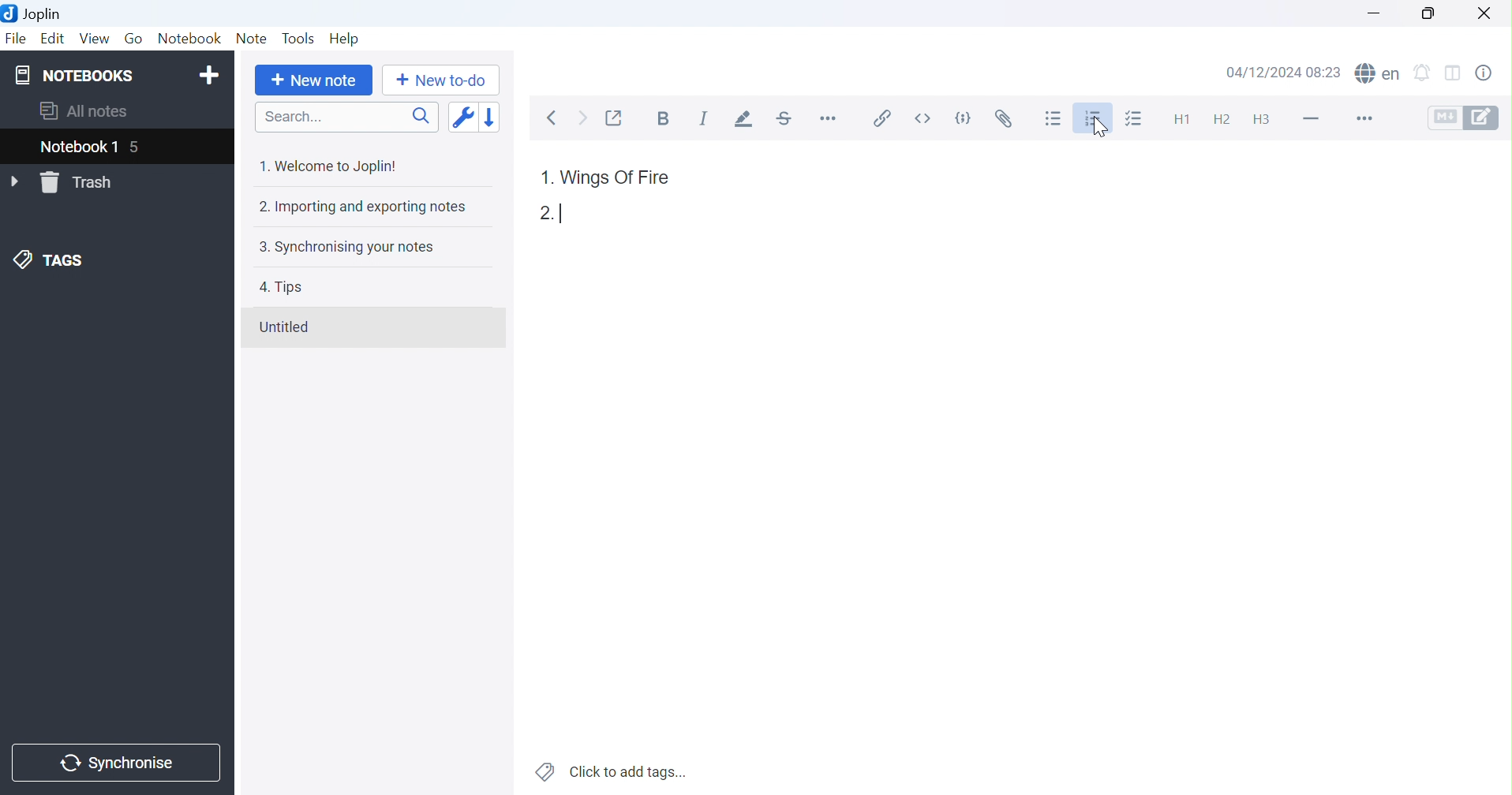 The height and width of the screenshot is (795, 1512). What do you see at coordinates (612, 772) in the screenshot?
I see `Click to add tags` at bounding box center [612, 772].